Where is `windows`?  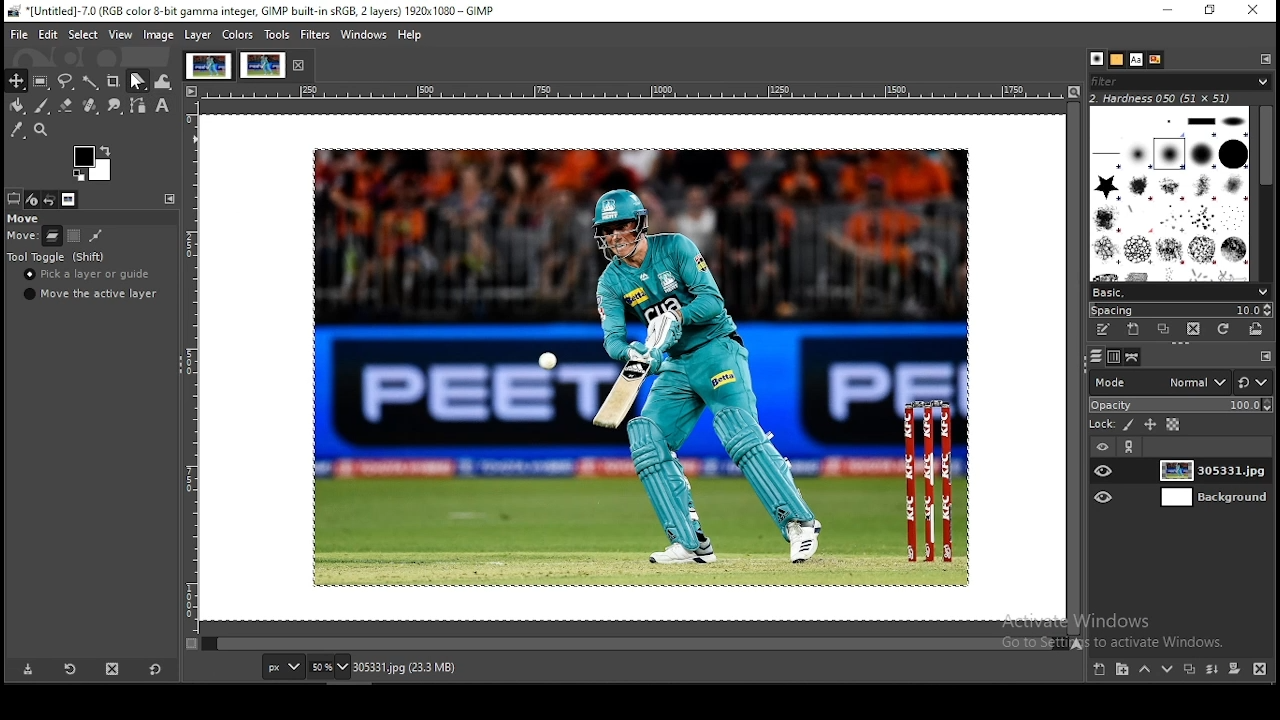 windows is located at coordinates (365, 35).